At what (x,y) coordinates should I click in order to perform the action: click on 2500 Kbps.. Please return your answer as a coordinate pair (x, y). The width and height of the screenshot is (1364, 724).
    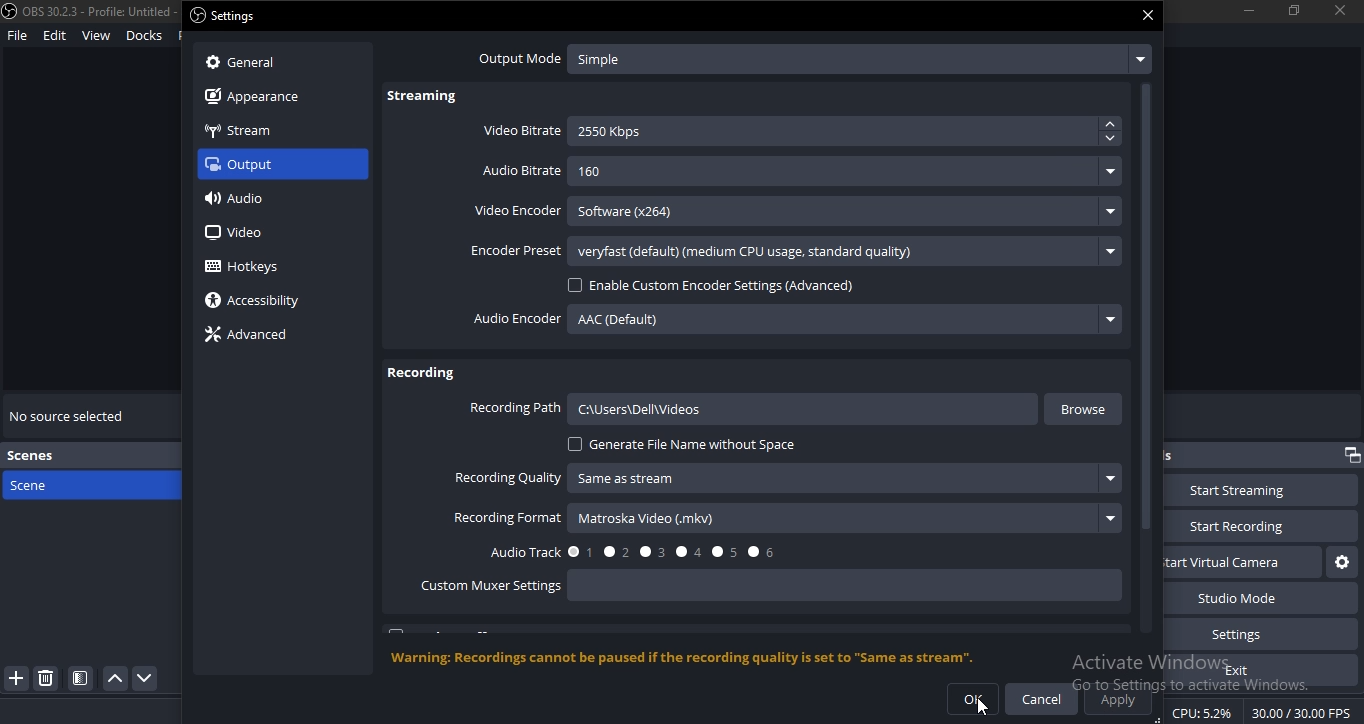
    Looking at the image, I should click on (835, 130).